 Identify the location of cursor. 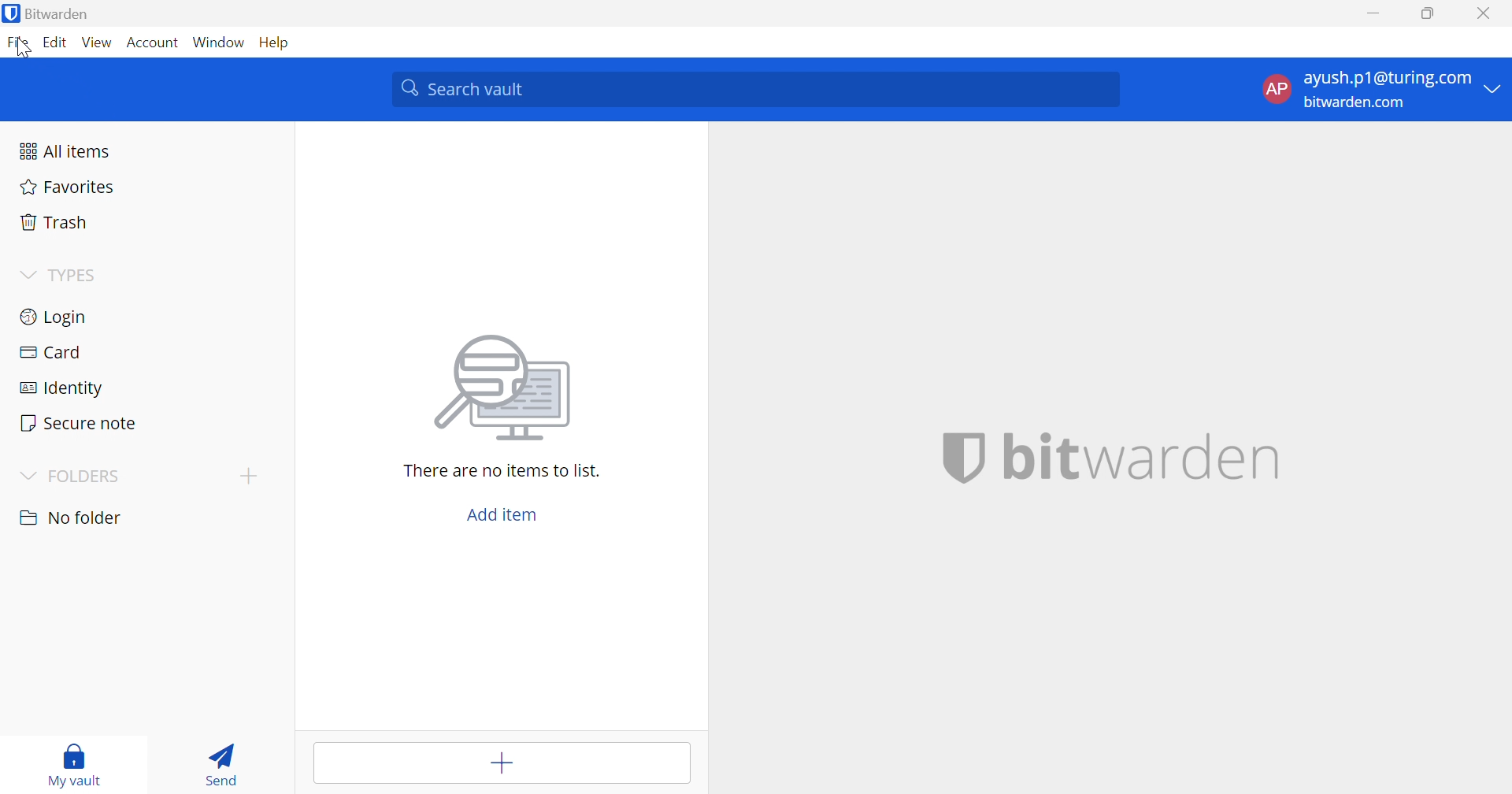
(23, 51).